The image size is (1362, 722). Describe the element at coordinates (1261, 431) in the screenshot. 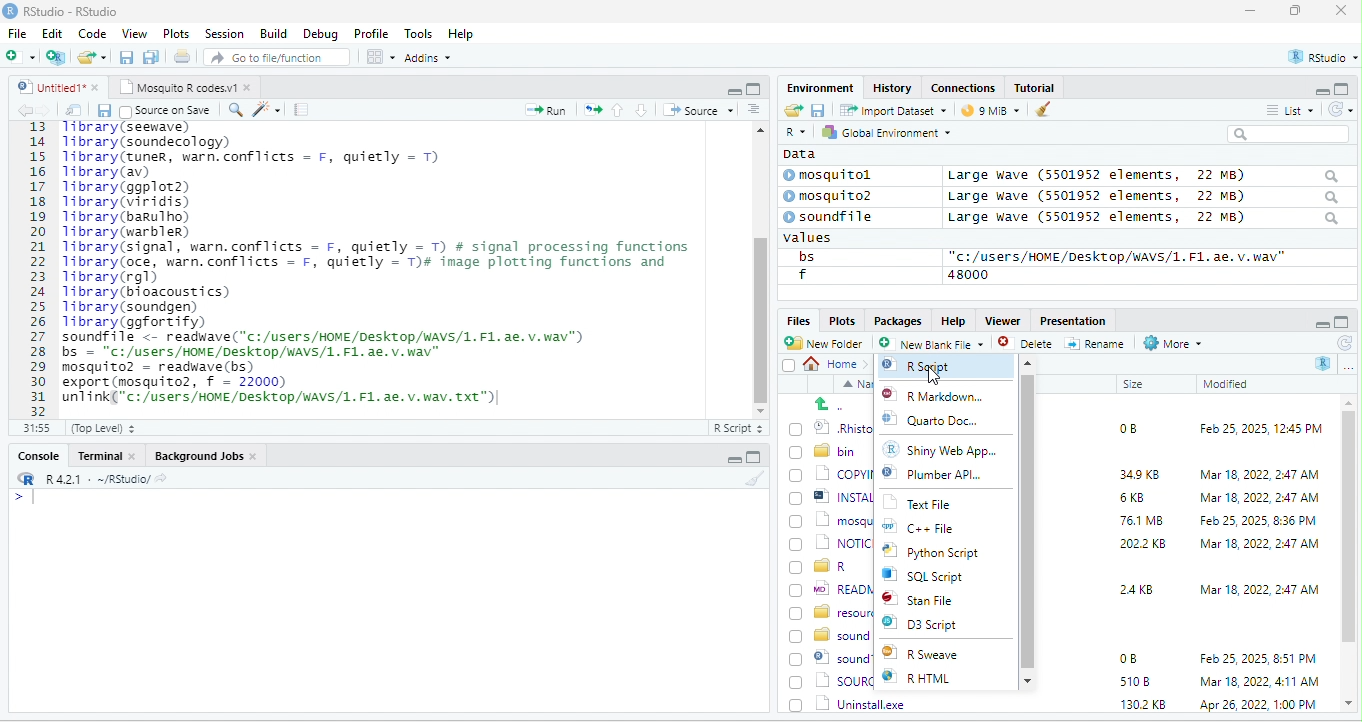

I see `Feb 25, 2025, 12:45 PM` at that location.